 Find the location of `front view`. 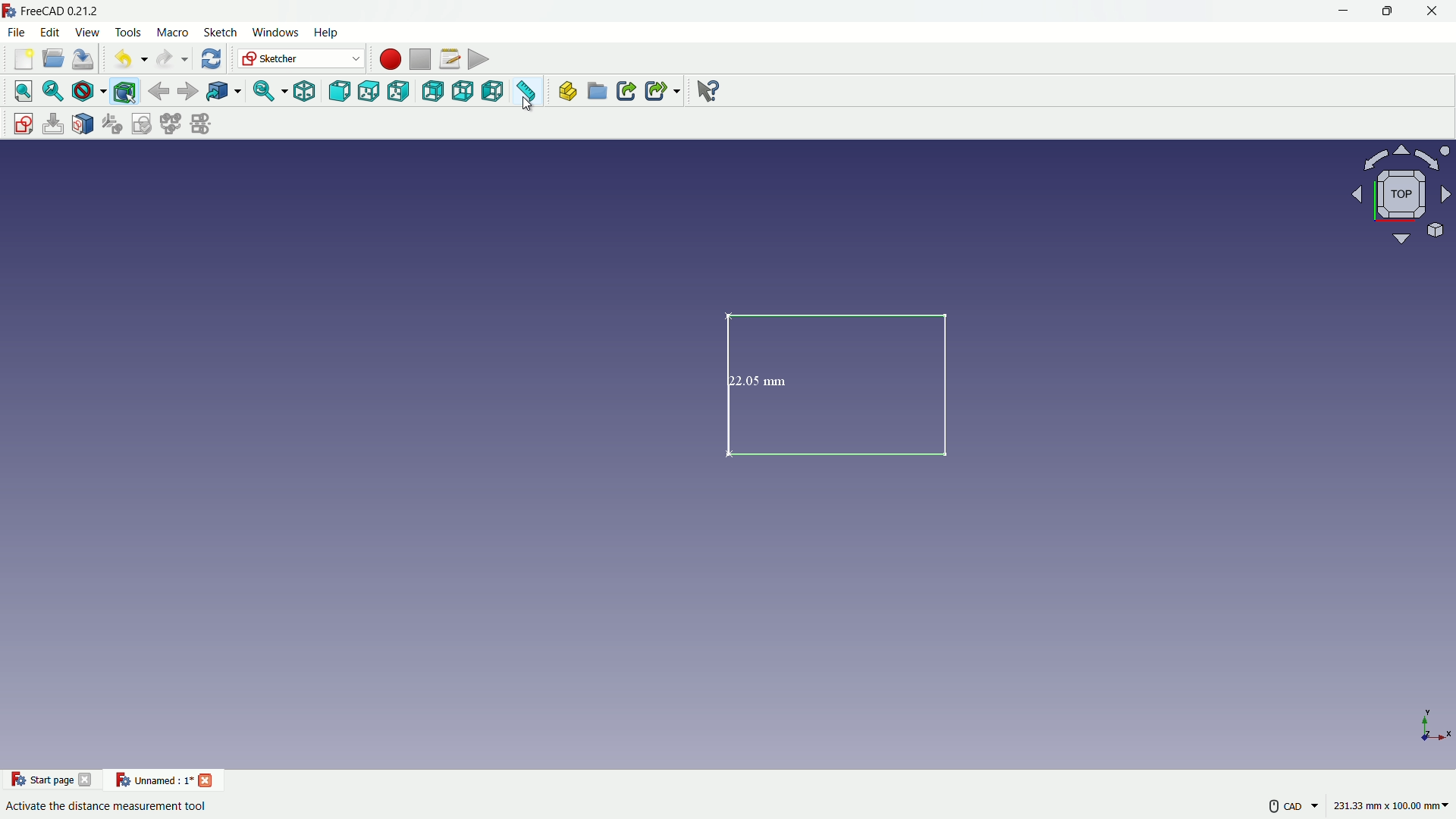

front view is located at coordinates (338, 91).